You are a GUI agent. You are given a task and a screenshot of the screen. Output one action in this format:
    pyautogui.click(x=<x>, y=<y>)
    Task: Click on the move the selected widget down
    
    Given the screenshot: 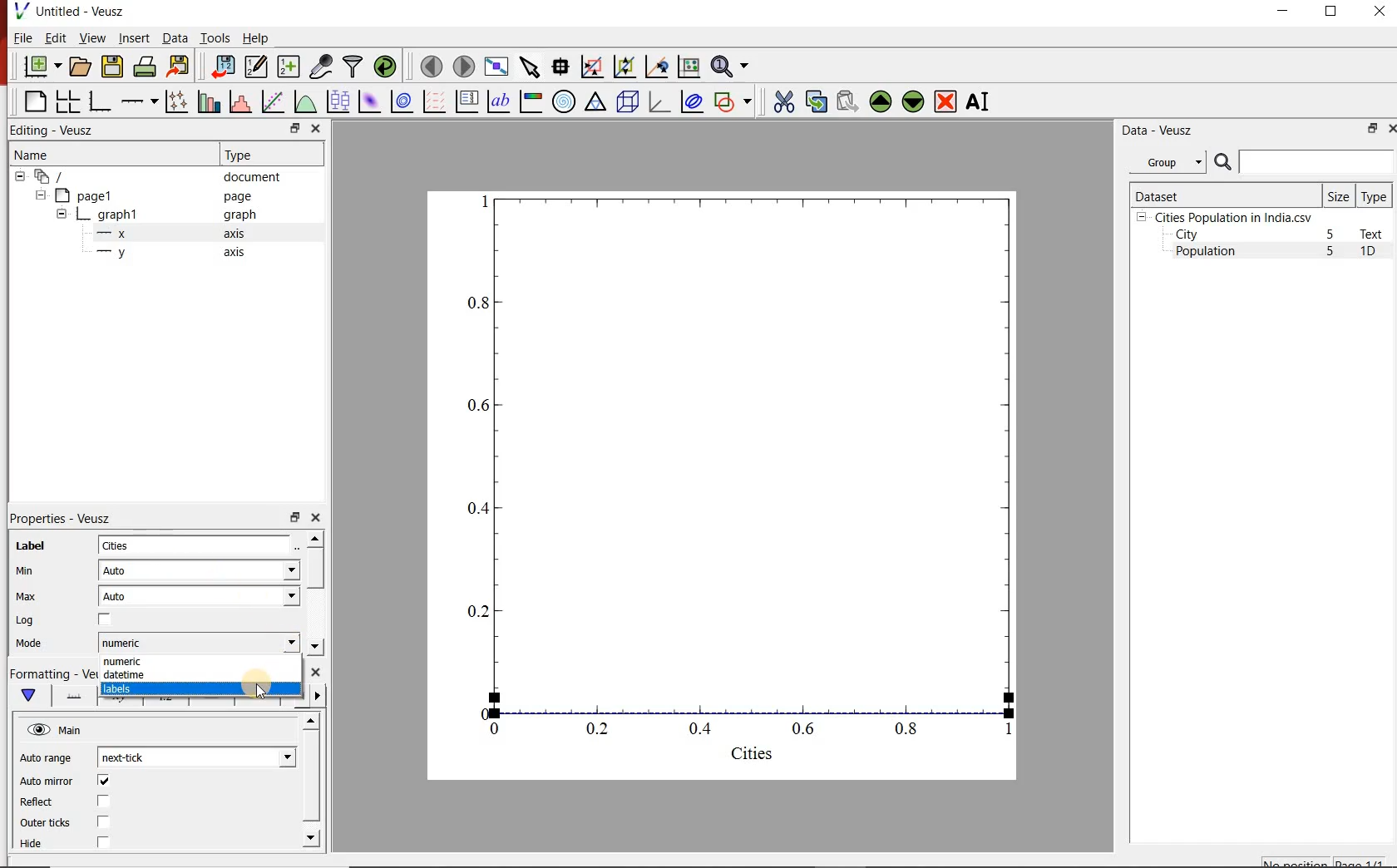 What is the action you would take?
    pyautogui.click(x=913, y=101)
    